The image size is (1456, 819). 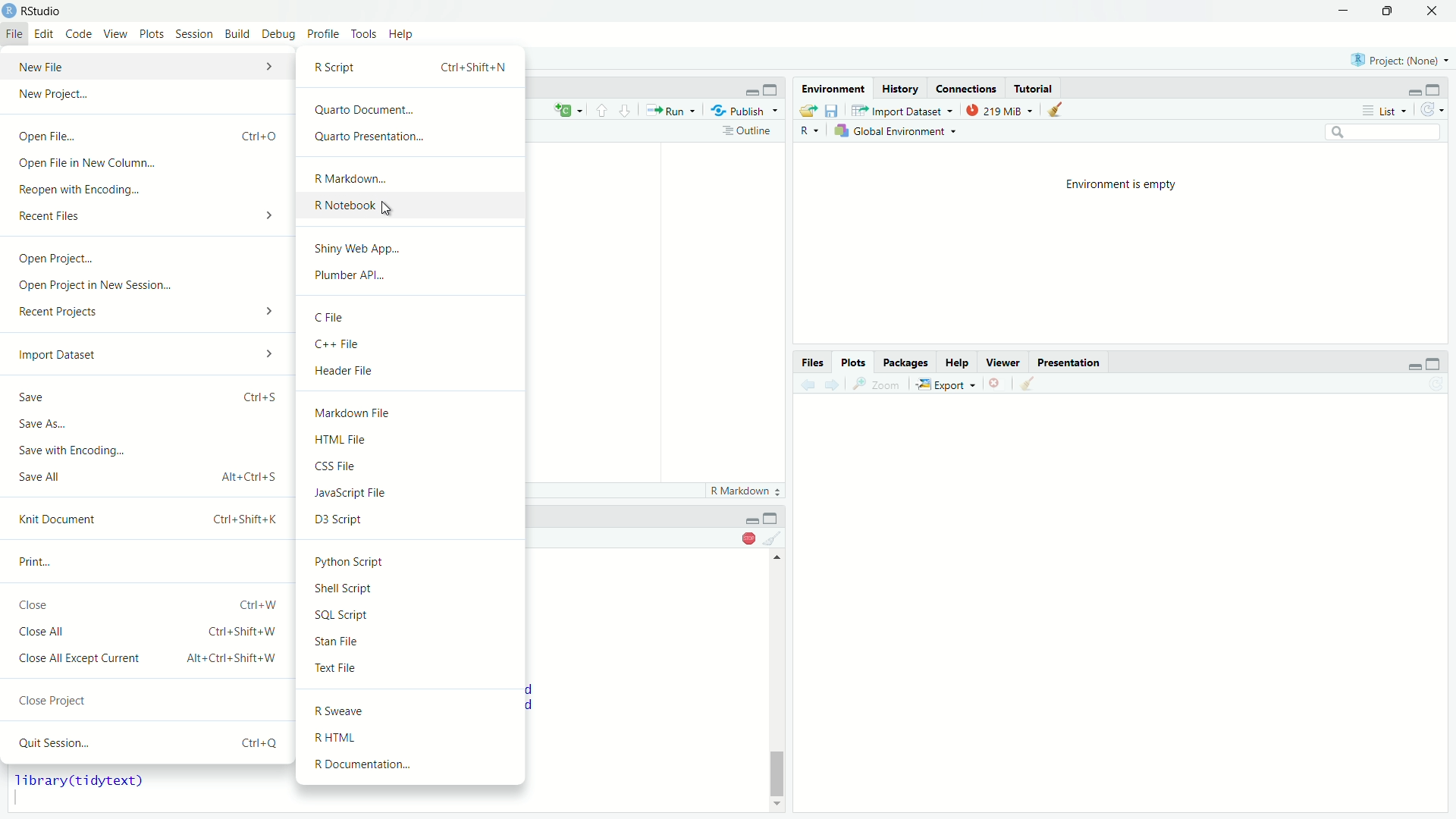 What do you see at coordinates (748, 132) in the screenshot?
I see `show document outline` at bounding box center [748, 132].